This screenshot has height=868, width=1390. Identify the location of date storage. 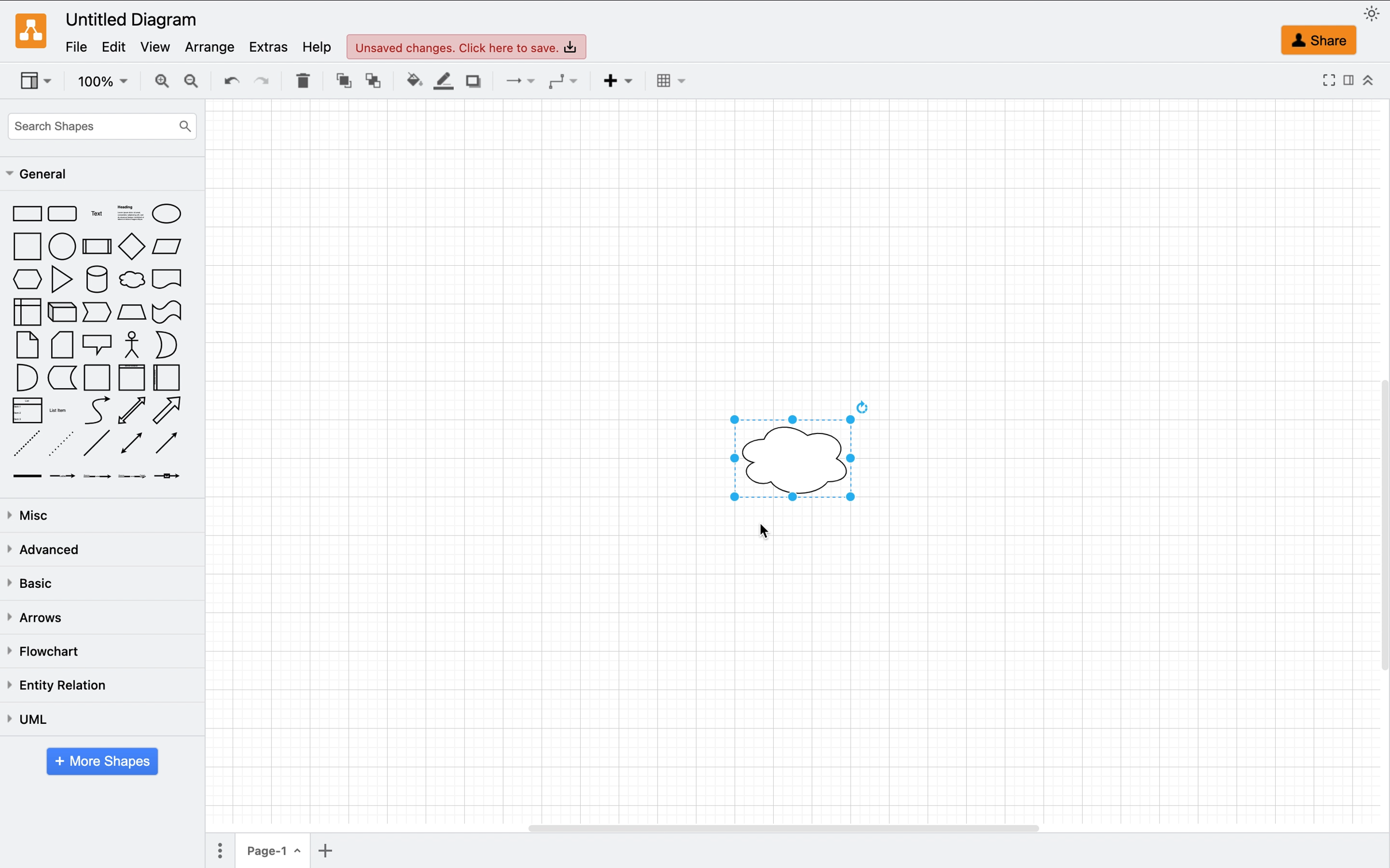
(63, 381).